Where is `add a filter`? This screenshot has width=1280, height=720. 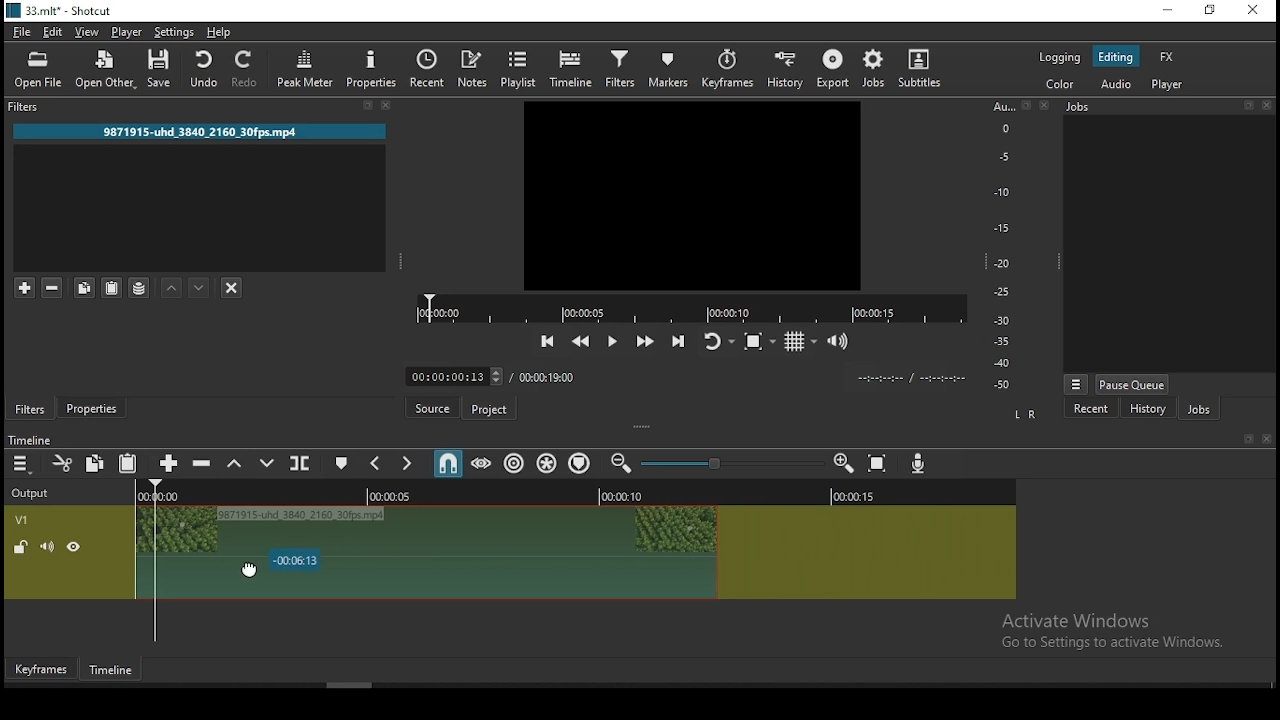
add a filter is located at coordinates (24, 287).